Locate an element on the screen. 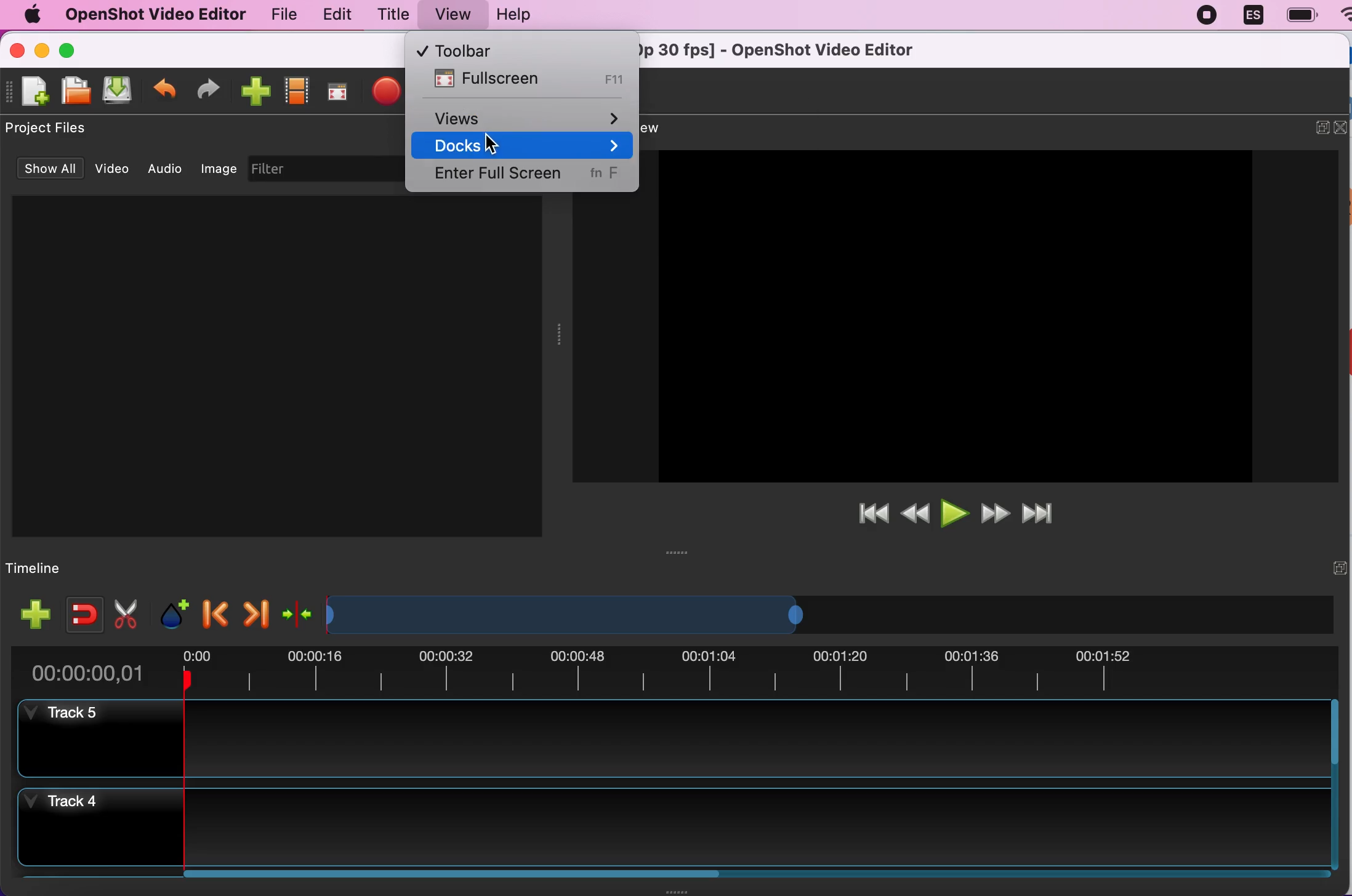 The image size is (1352, 896). expand/hide is located at coordinates (1322, 126).